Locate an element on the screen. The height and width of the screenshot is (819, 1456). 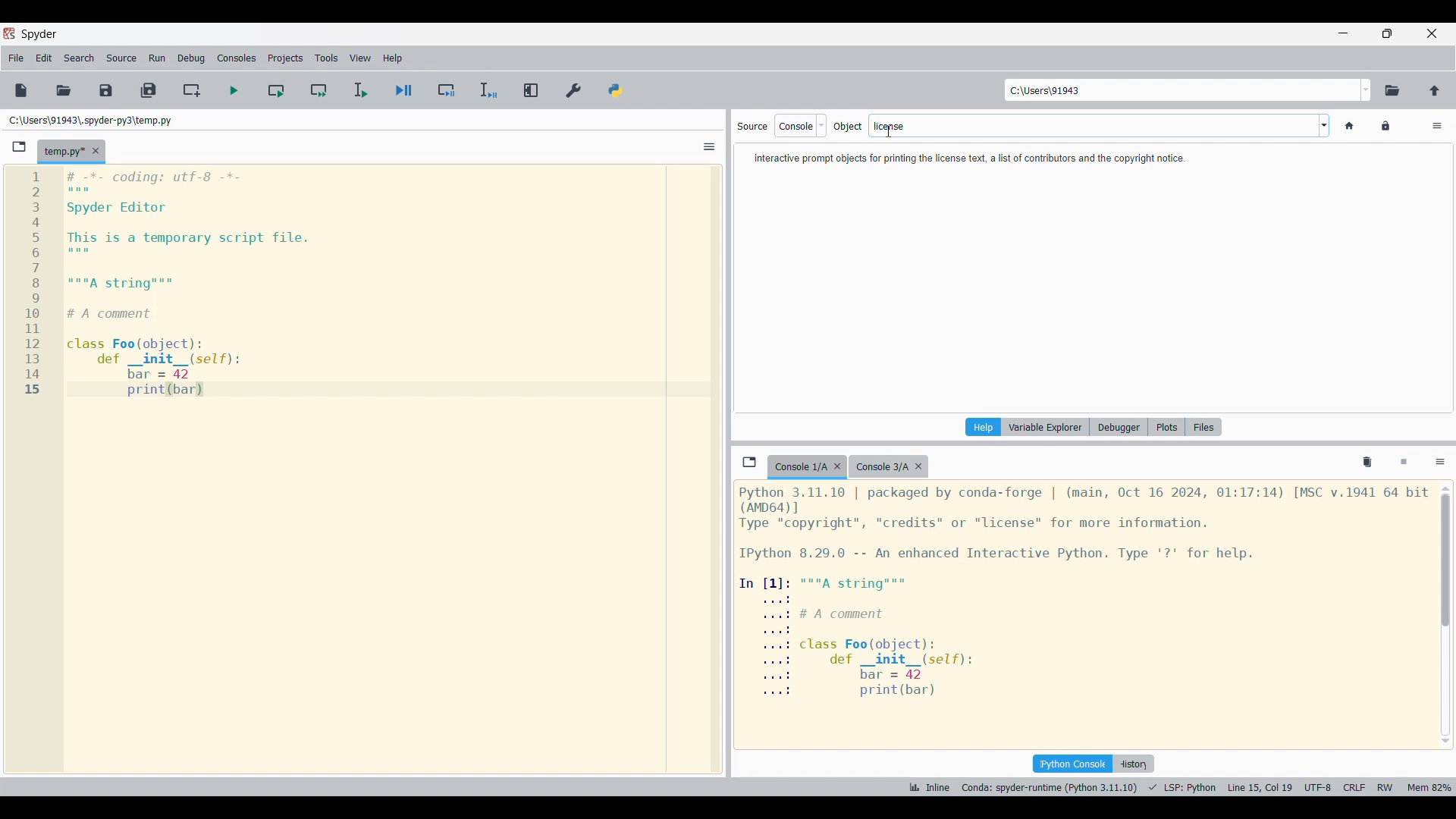
Open file is located at coordinates (63, 90).